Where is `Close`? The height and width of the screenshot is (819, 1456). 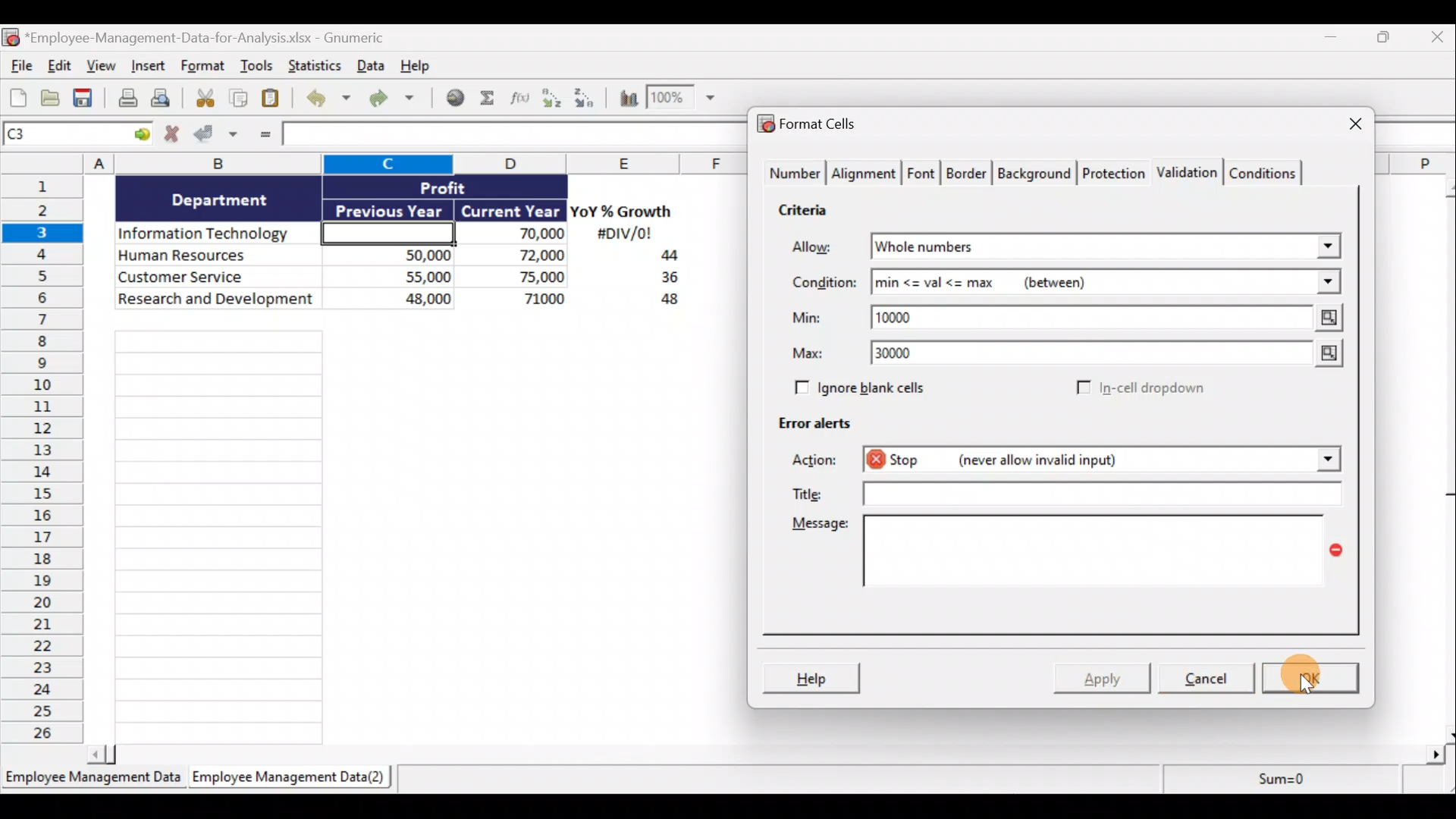 Close is located at coordinates (1434, 40).